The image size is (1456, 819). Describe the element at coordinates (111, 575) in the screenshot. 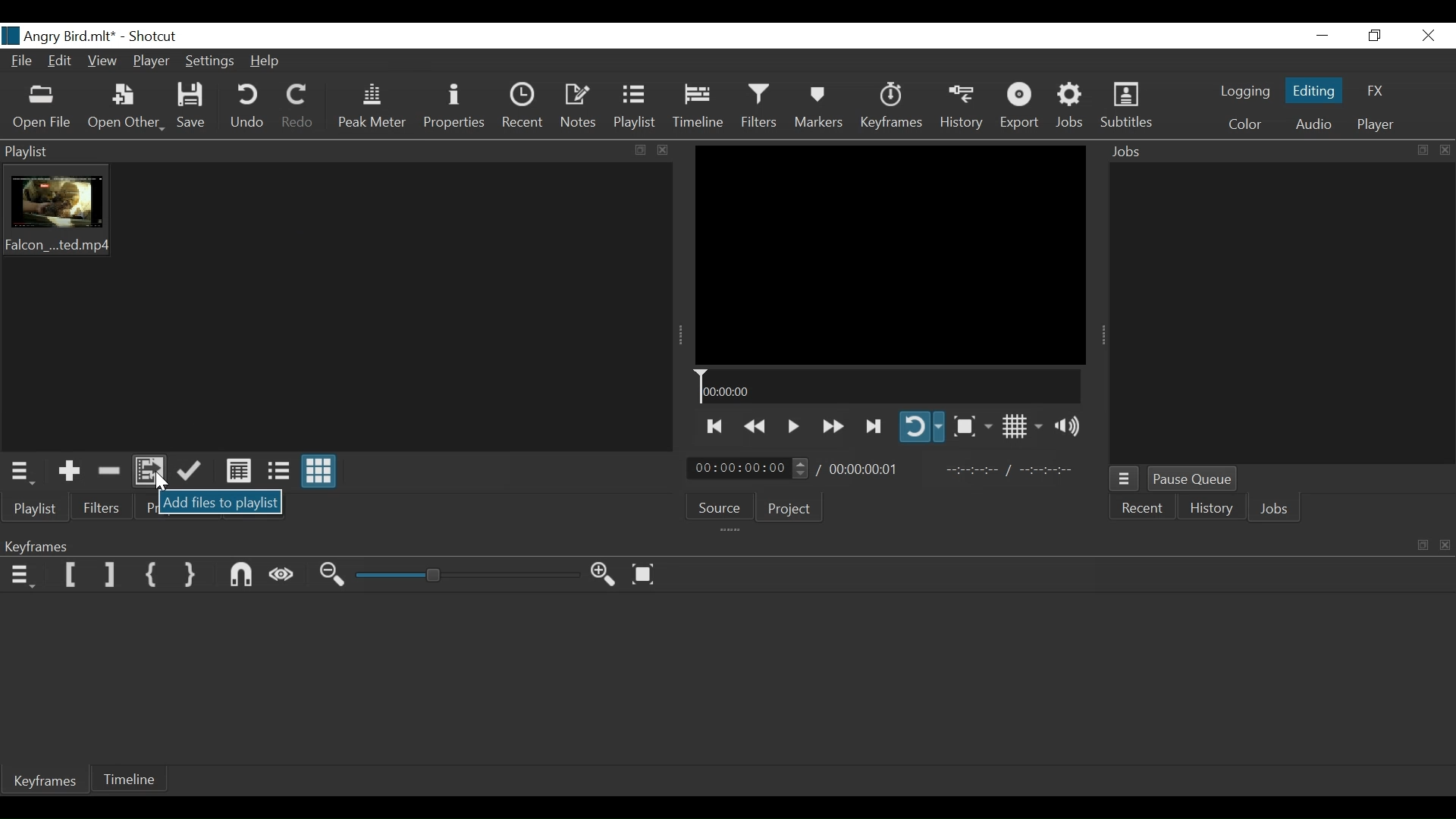

I see `Set Filter last` at that location.